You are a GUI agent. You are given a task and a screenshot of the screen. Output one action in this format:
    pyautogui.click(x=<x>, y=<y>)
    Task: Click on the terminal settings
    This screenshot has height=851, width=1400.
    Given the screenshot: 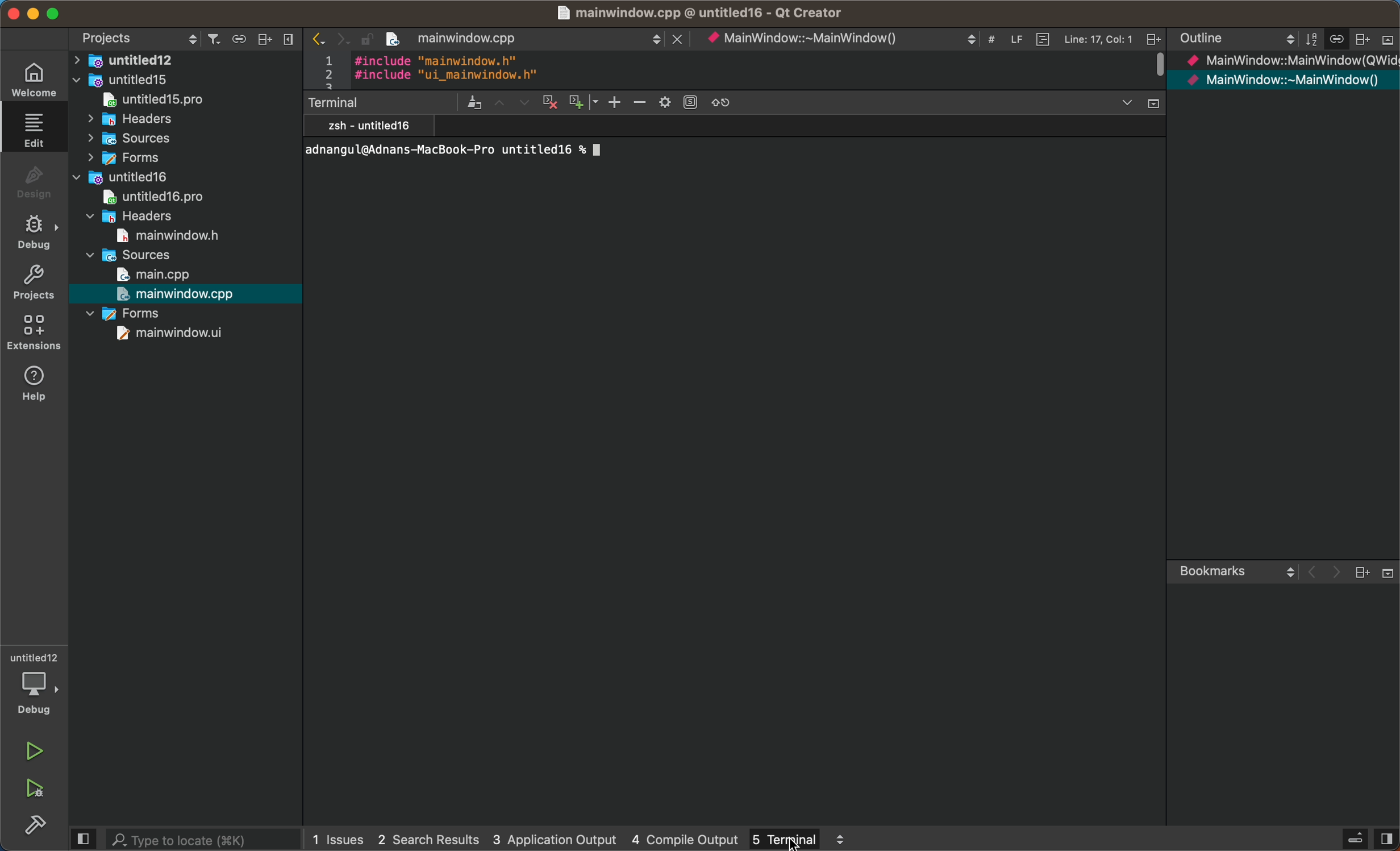 What is the action you would take?
    pyautogui.click(x=527, y=103)
    